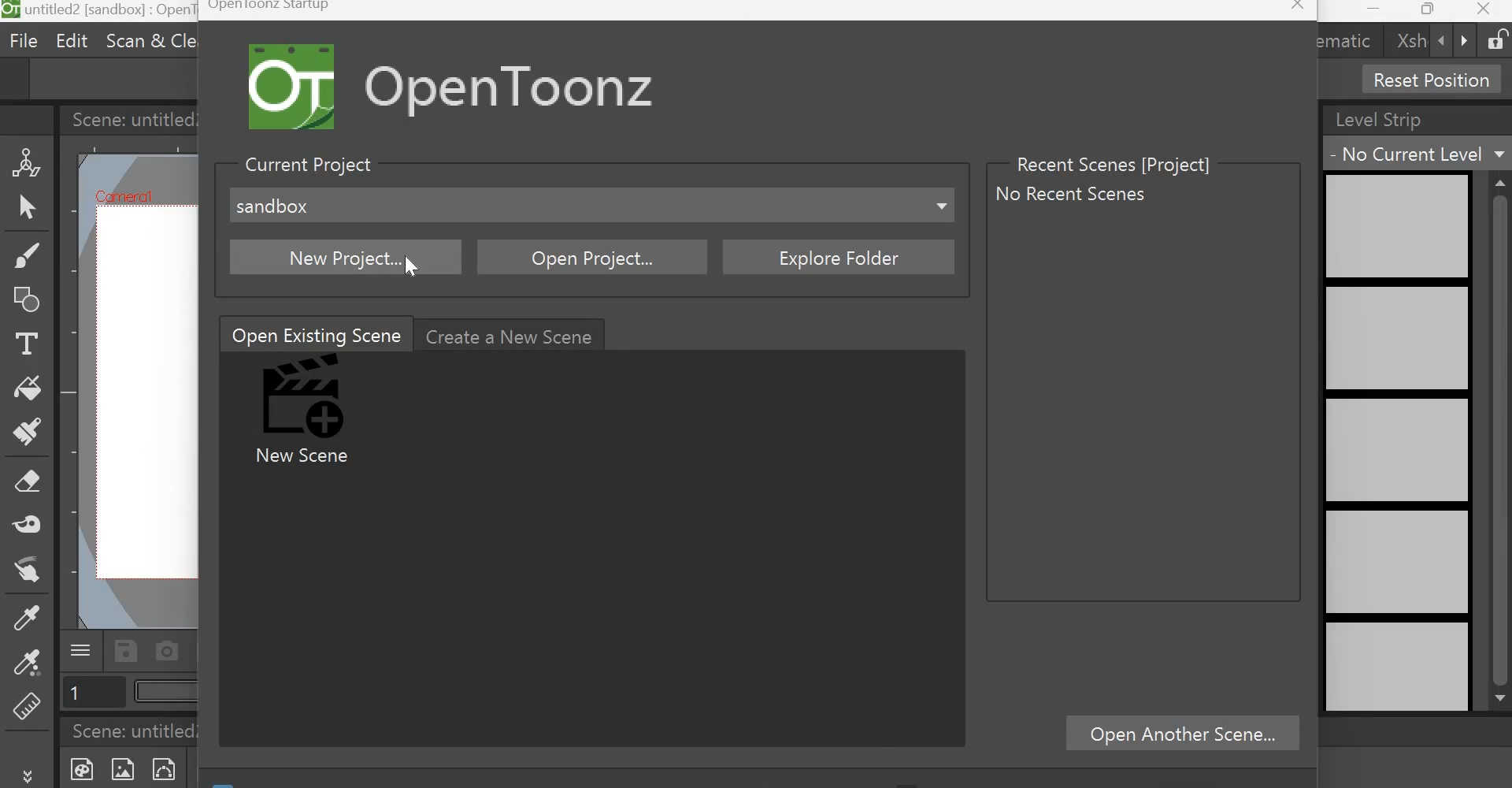 The height and width of the screenshot is (788, 1512). Describe the element at coordinates (1375, 11) in the screenshot. I see `Minimize` at that location.